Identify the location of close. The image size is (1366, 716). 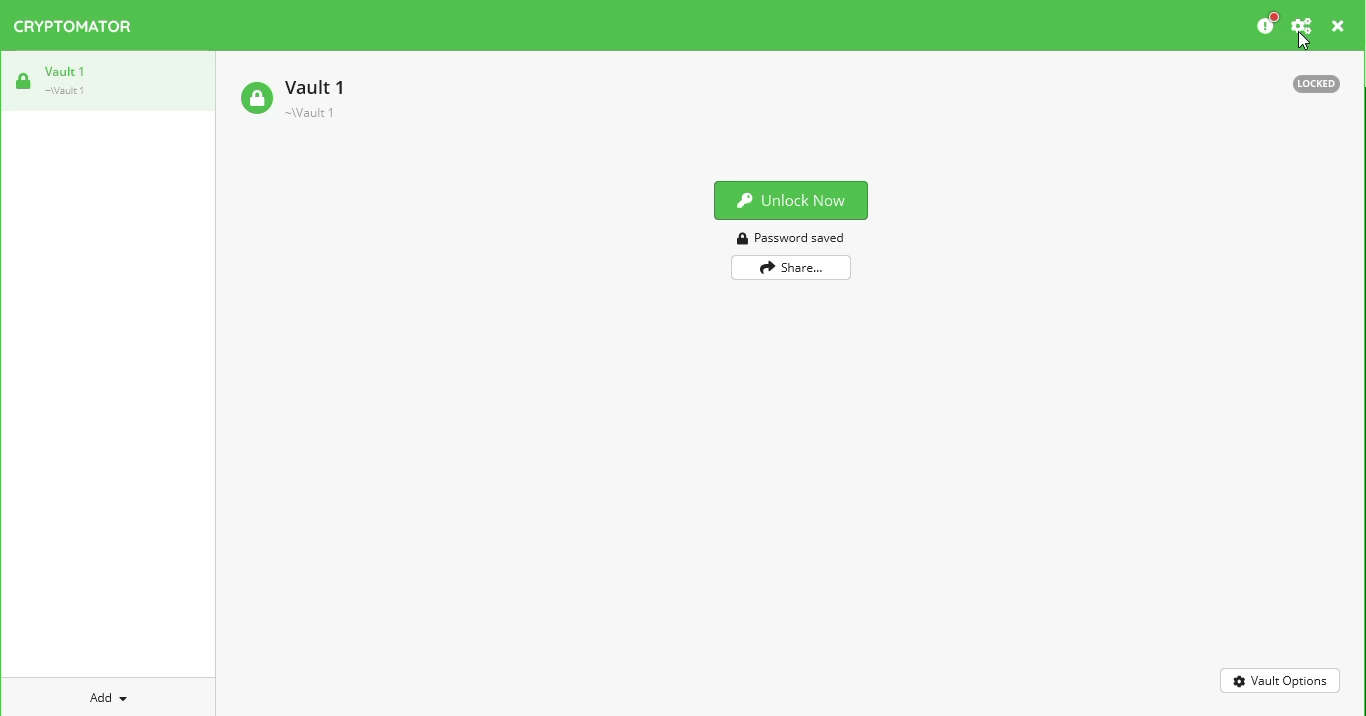
(1338, 26).